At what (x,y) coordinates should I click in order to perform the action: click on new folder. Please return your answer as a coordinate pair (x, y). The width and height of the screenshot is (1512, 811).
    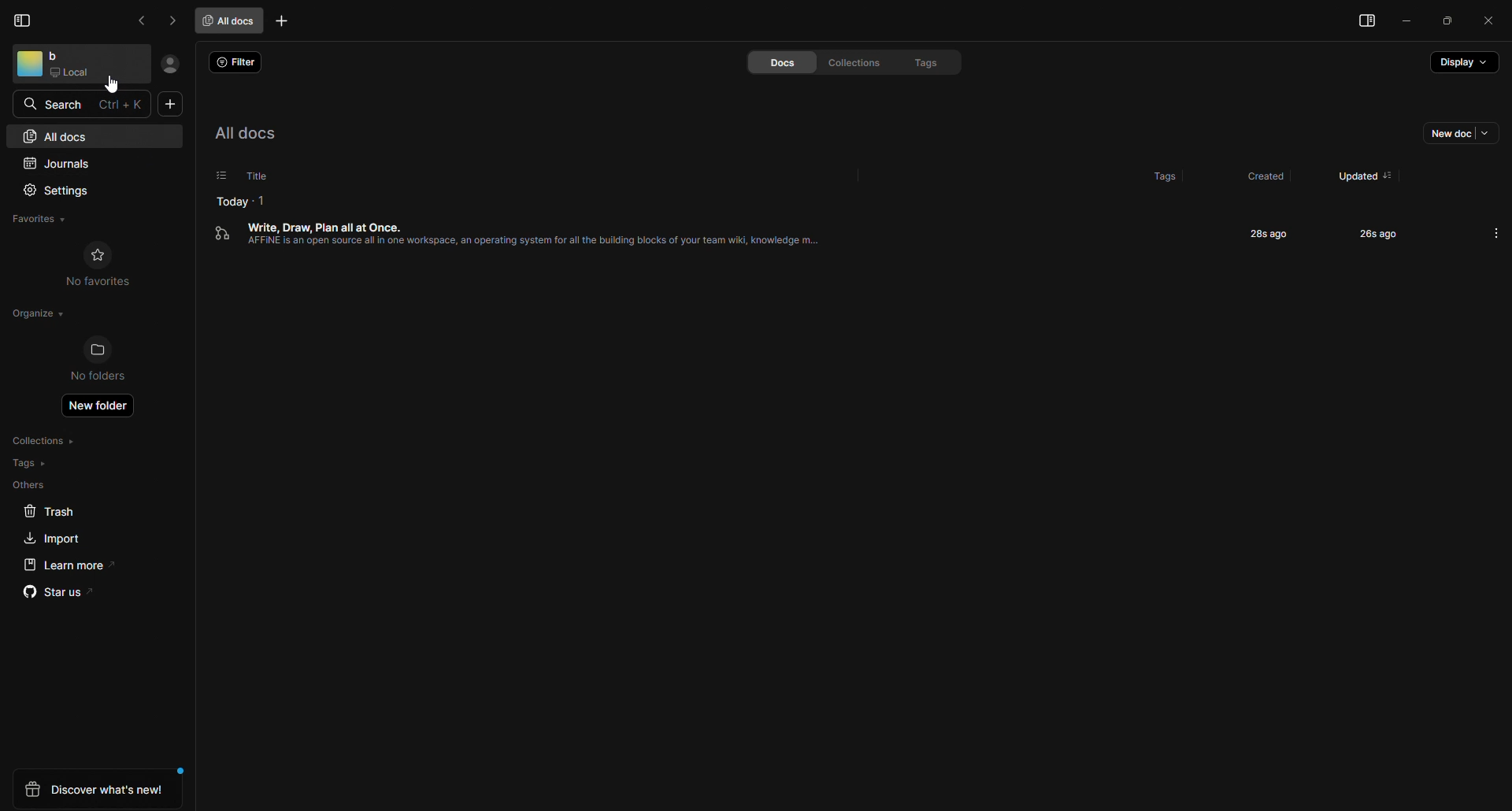
    Looking at the image, I should click on (102, 409).